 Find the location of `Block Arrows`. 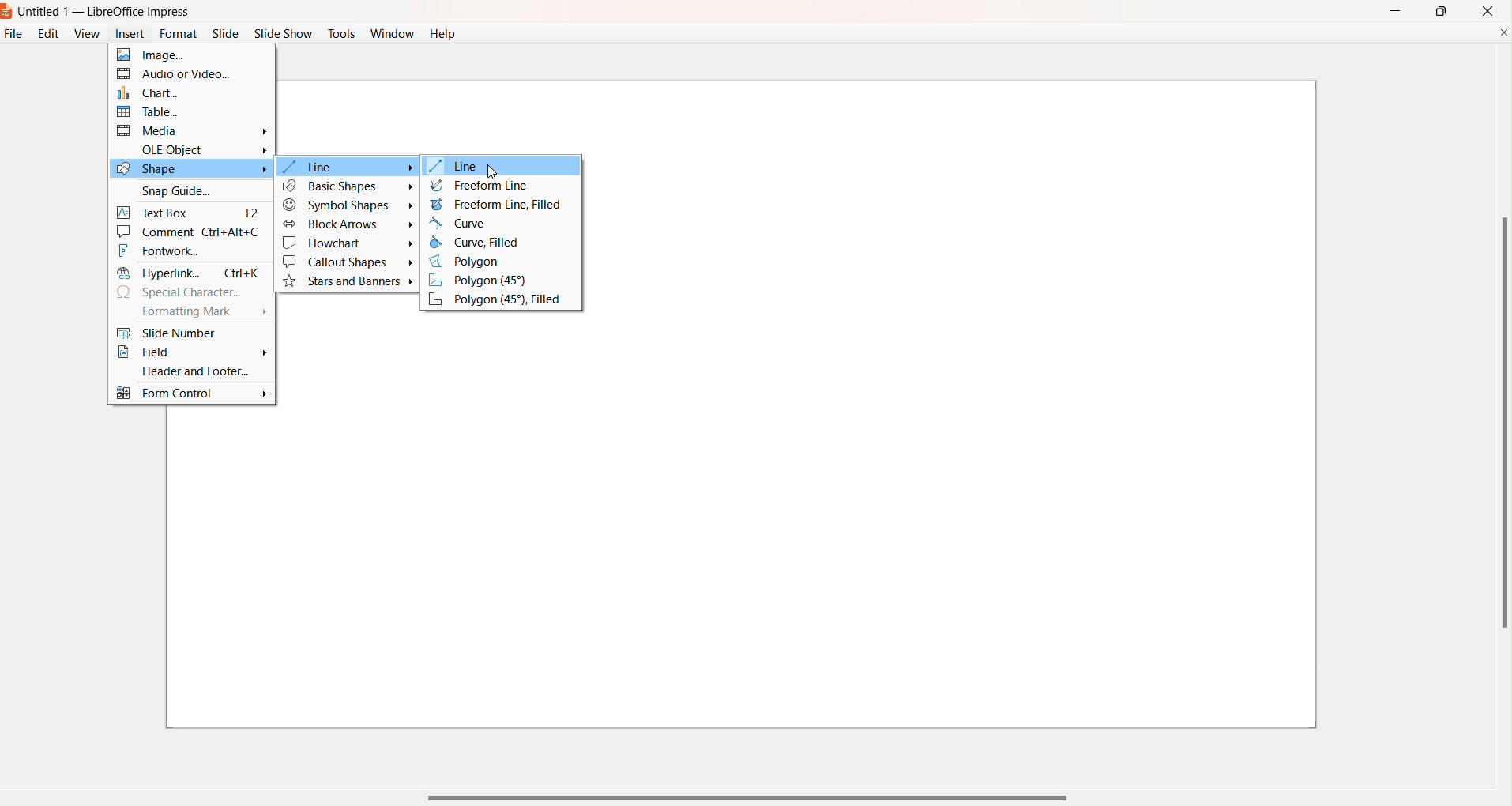

Block Arrows is located at coordinates (348, 224).